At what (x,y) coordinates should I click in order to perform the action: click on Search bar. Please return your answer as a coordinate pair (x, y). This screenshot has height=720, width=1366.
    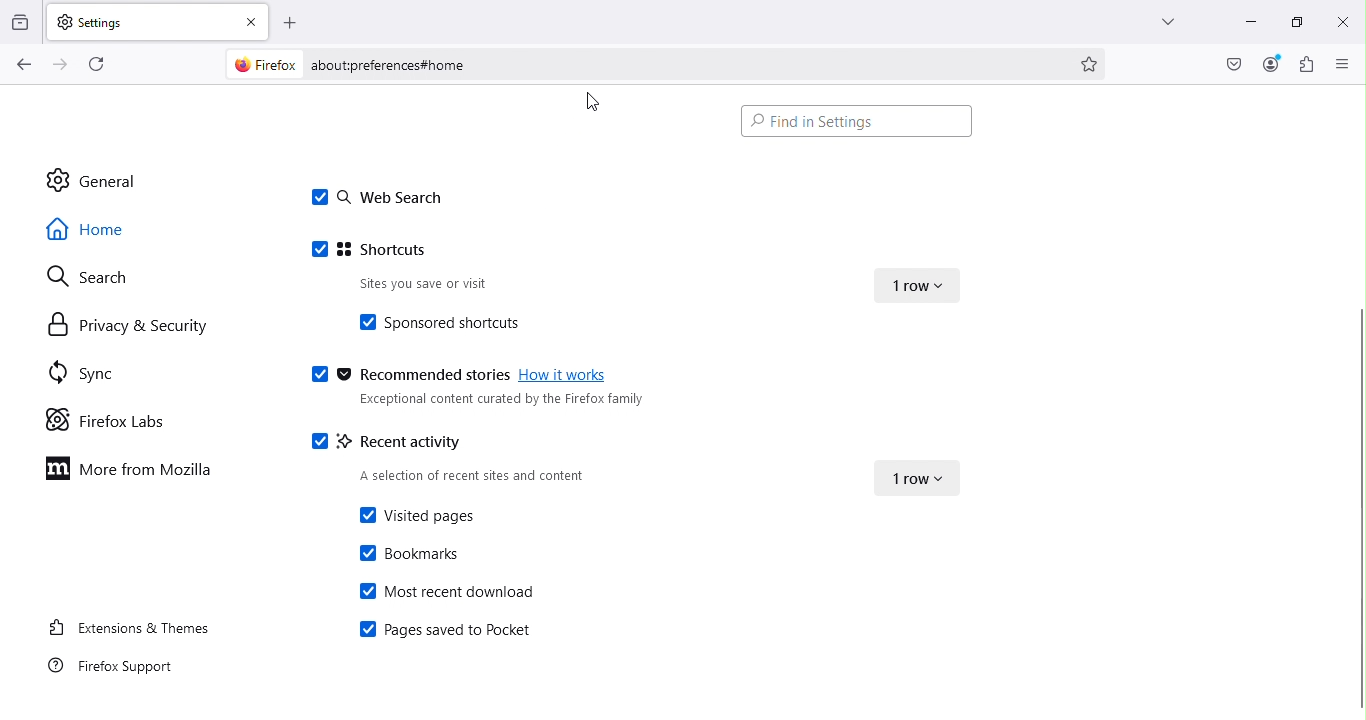
    Looking at the image, I should click on (682, 65).